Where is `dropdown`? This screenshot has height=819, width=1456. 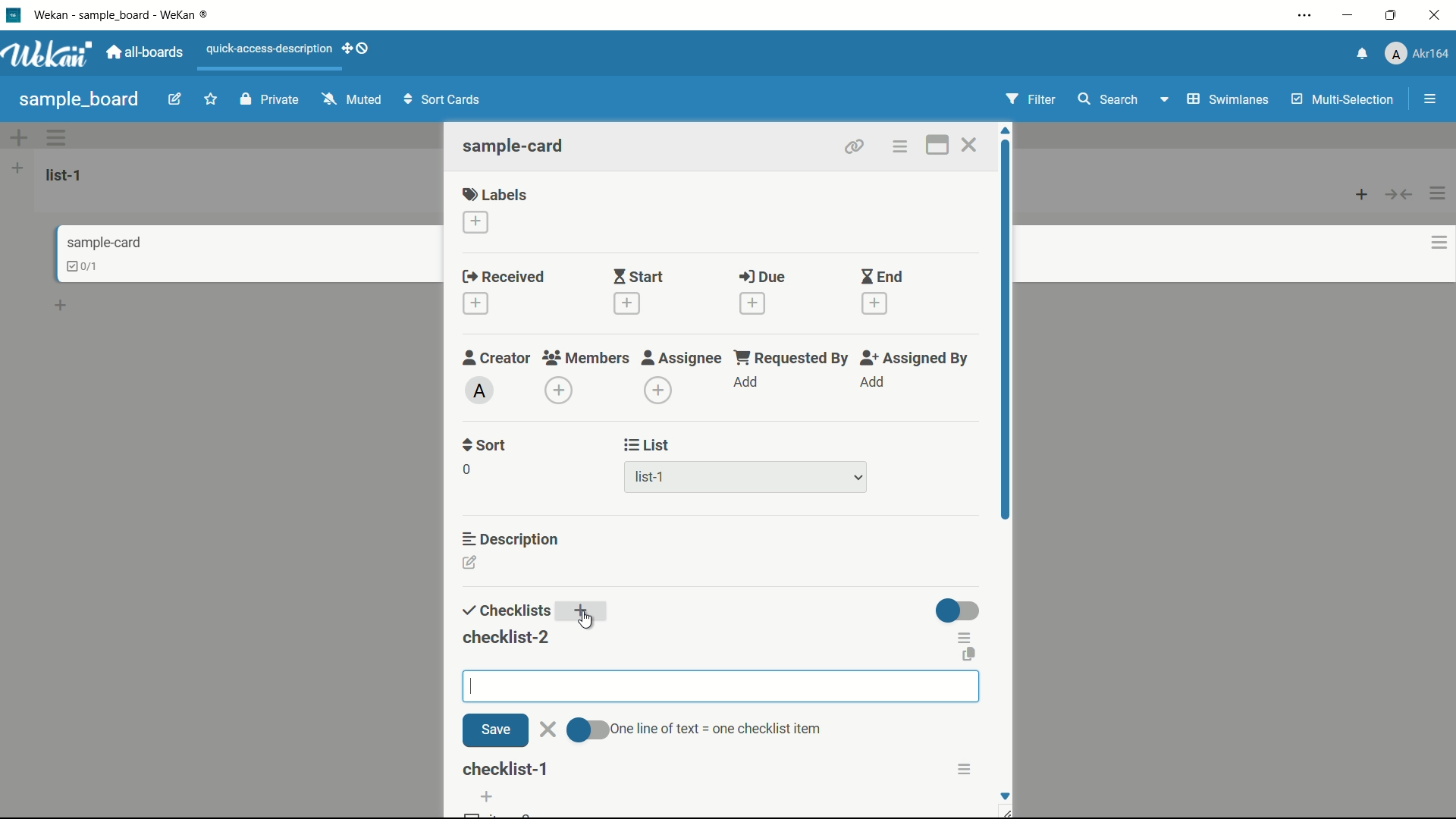
dropdown is located at coordinates (1163, 102).